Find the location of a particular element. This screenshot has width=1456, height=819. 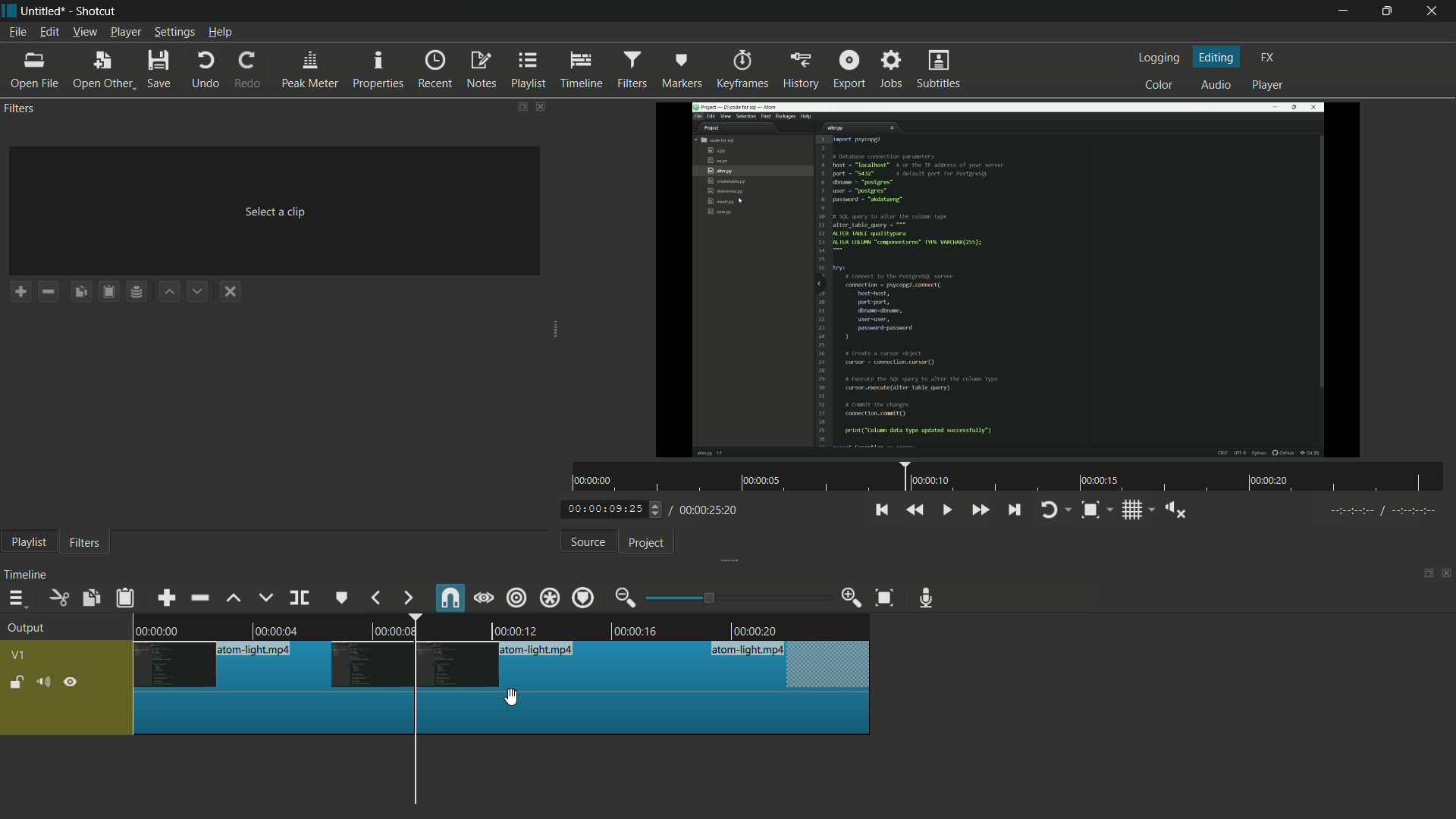

keyframes is located at coordinates (740, 70).